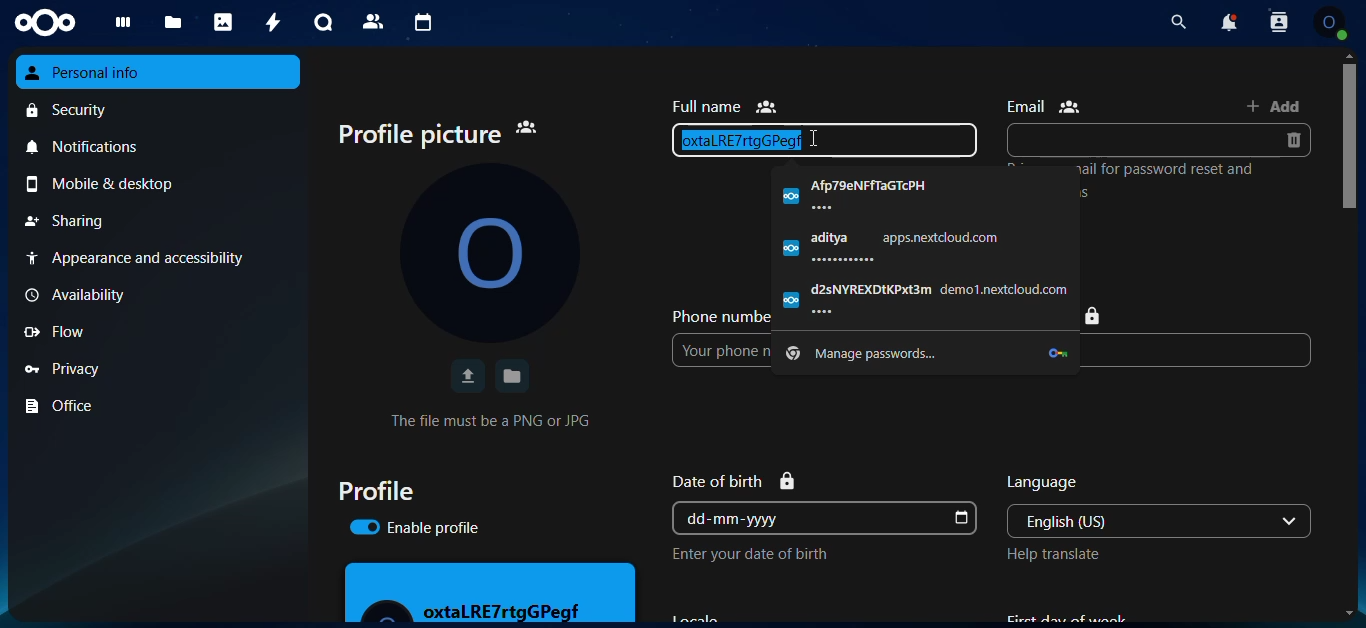 Image resolution: width=1366 pixels, height=628 pixels. I want to click on dashboard, so click(117, 26).